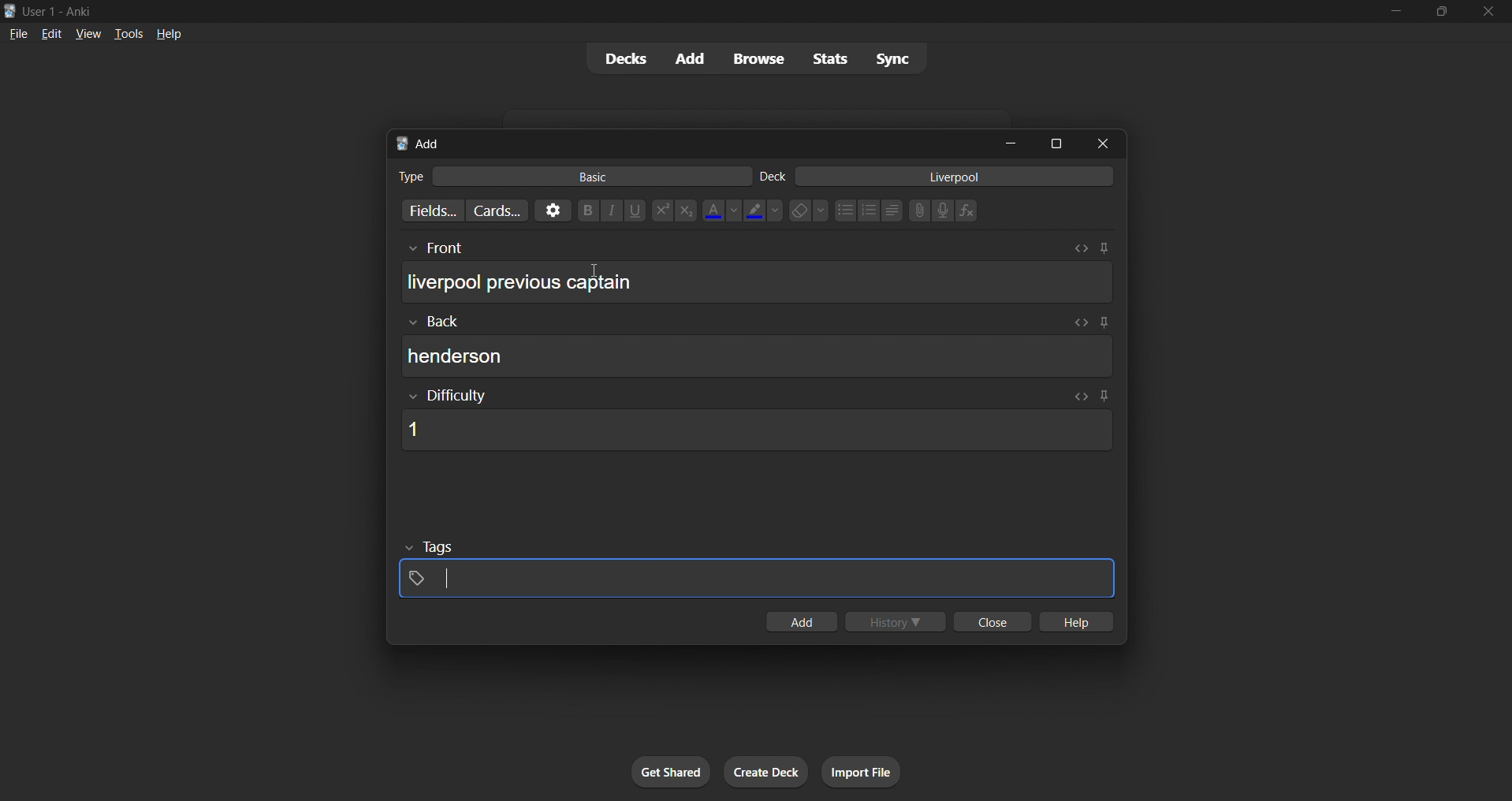 Image resolution: width=1512 pixels, height=801 pixels. What do you see at coordinates (767, 773) in the screenshot?
I see `create deck` at bounding box center [767, 773].